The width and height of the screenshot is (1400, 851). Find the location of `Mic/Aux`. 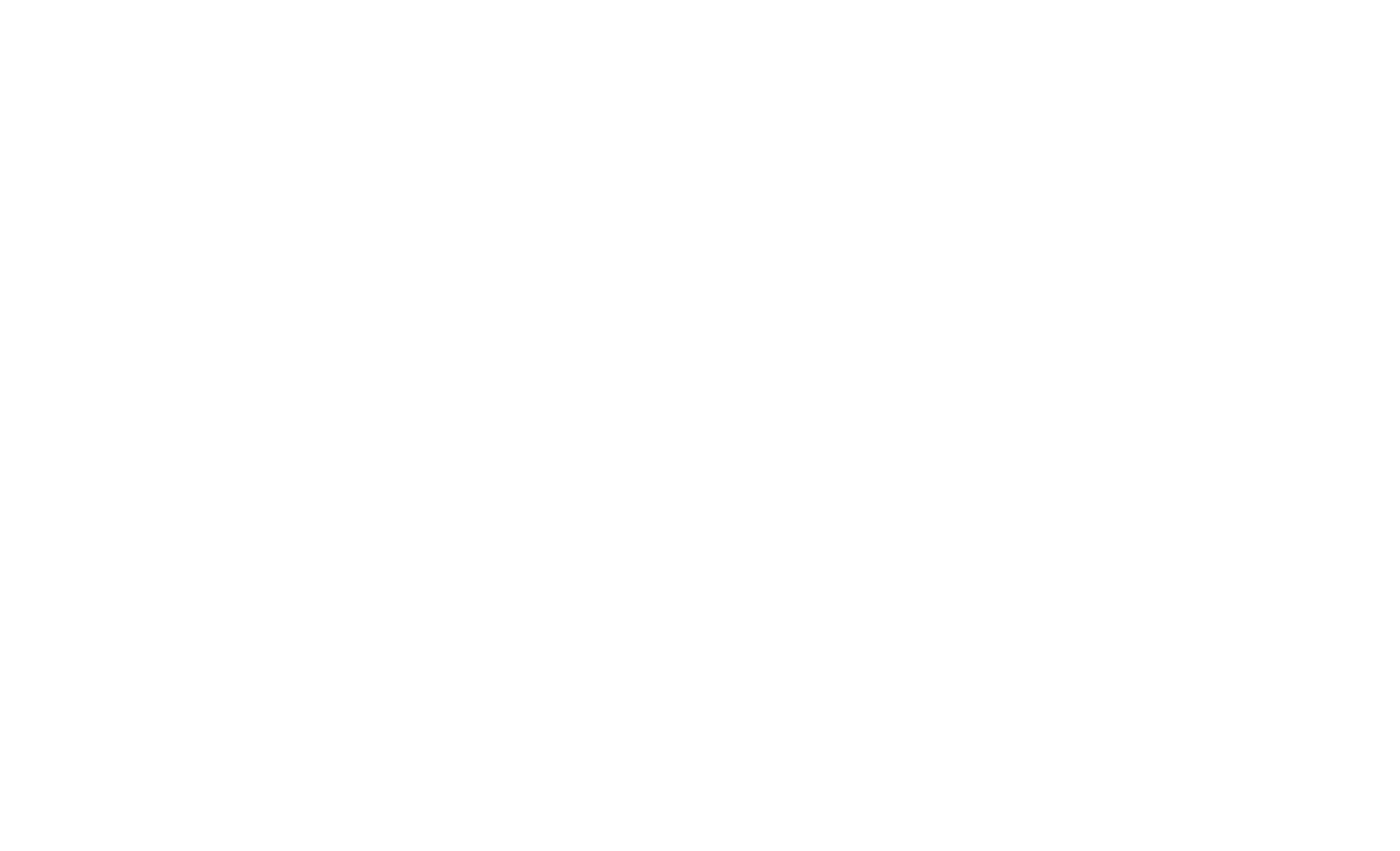

Mic/Aux is located at coordinates (742, 598).